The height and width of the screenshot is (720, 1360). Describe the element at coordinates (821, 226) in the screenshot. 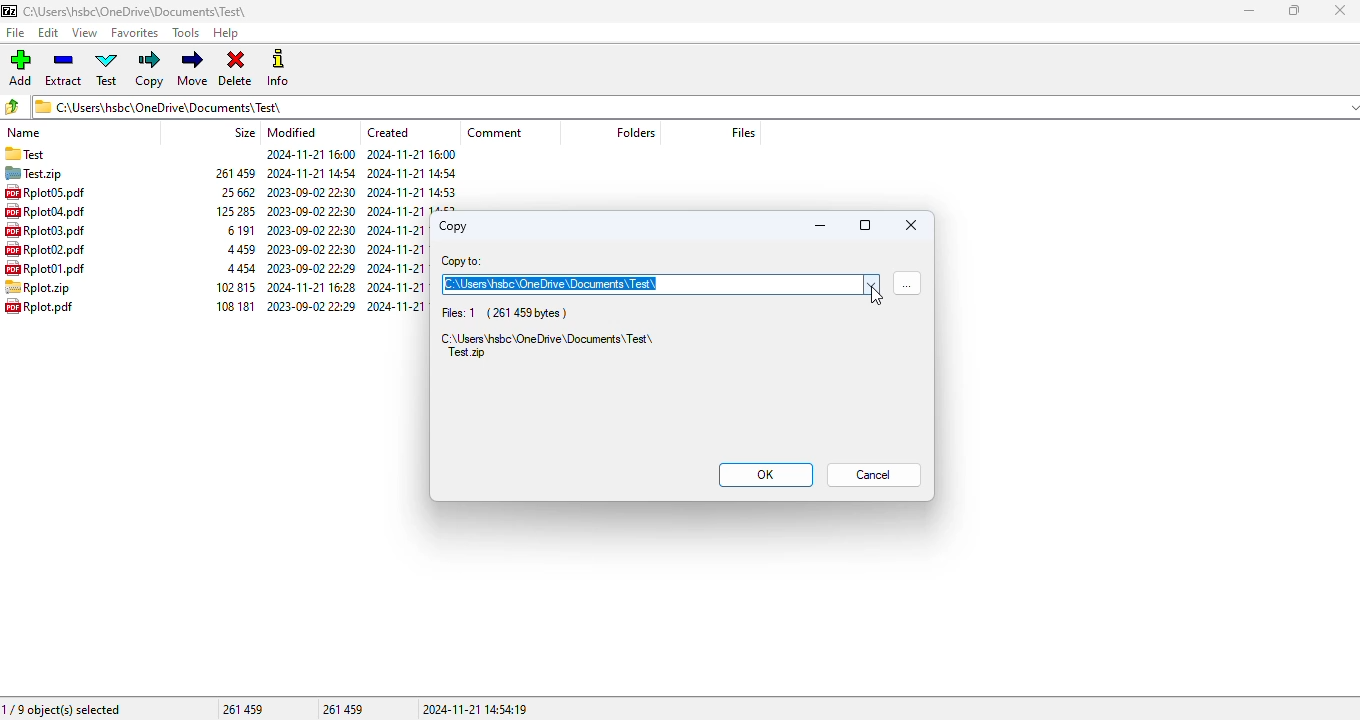

I see `minimize` at that location.